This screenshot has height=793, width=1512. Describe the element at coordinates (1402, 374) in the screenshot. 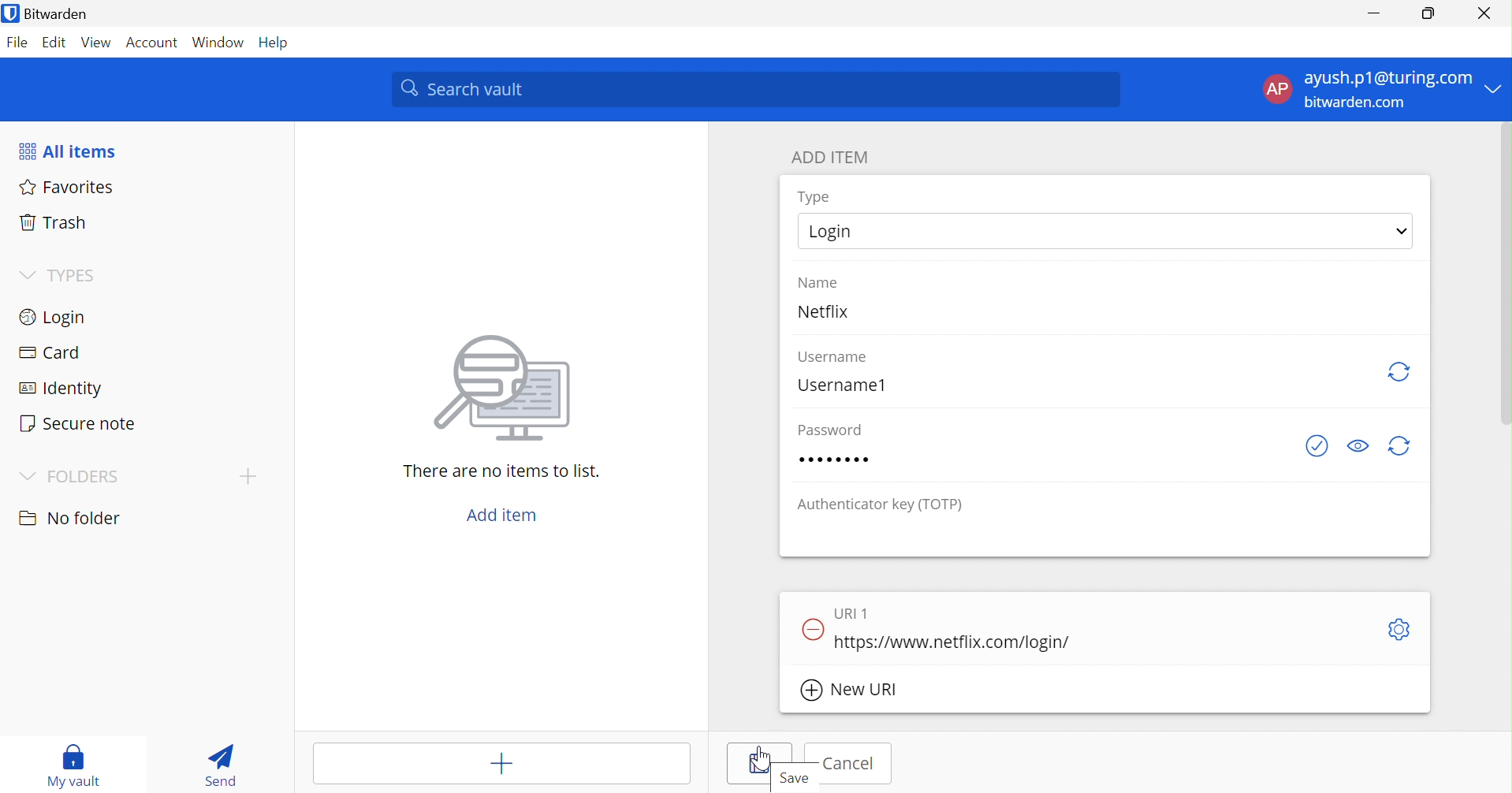

I see `Refresh` at that location.